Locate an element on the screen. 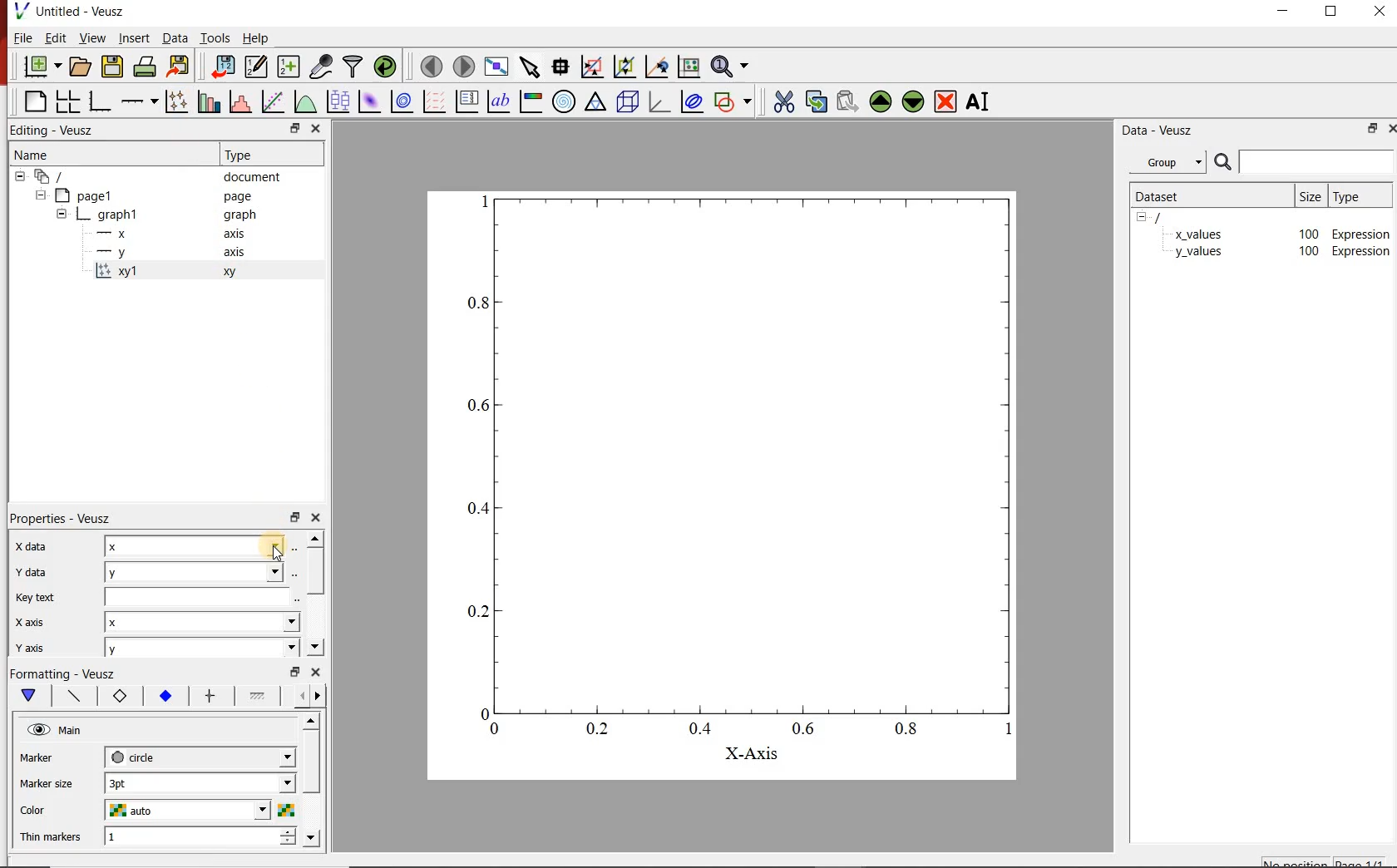  plot box plots is located at coordinates (336, 101).